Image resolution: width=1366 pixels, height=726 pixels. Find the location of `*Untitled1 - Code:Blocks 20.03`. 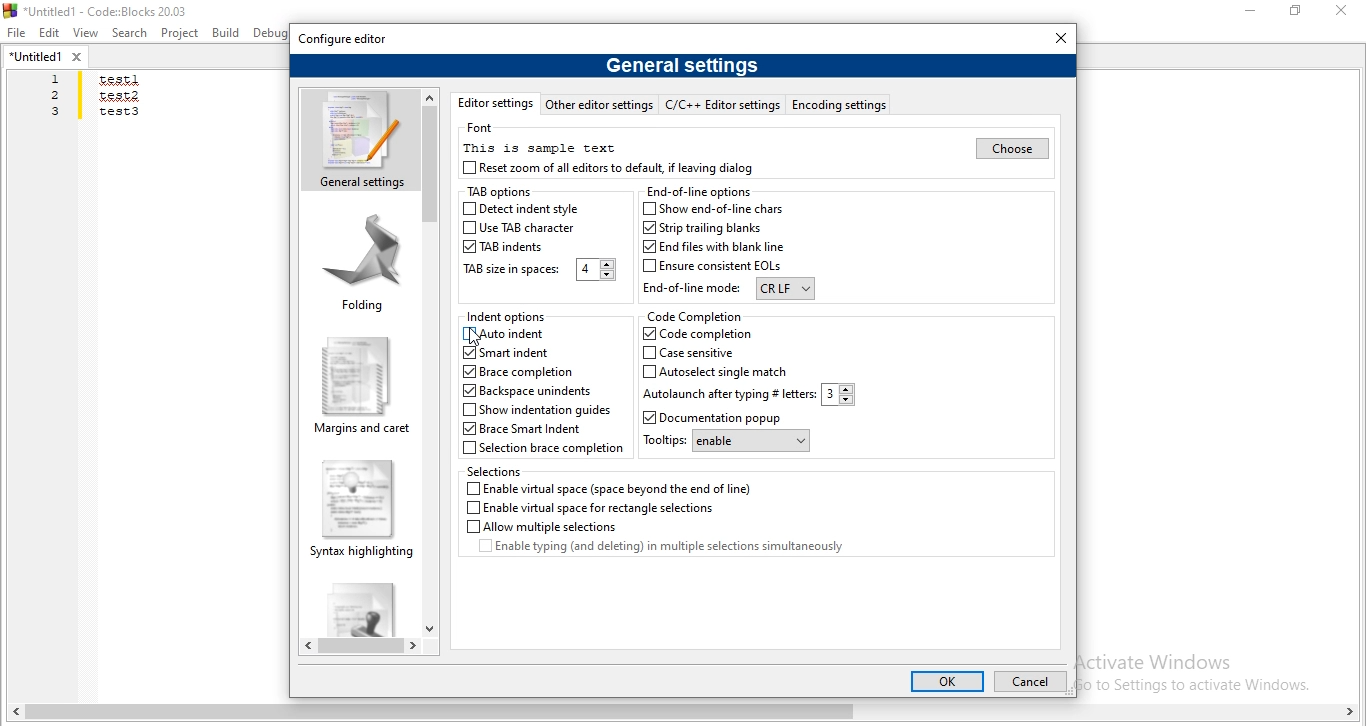

*Untitled1 - Code:Blocks 20.03 is located at coordinates (102, 9).